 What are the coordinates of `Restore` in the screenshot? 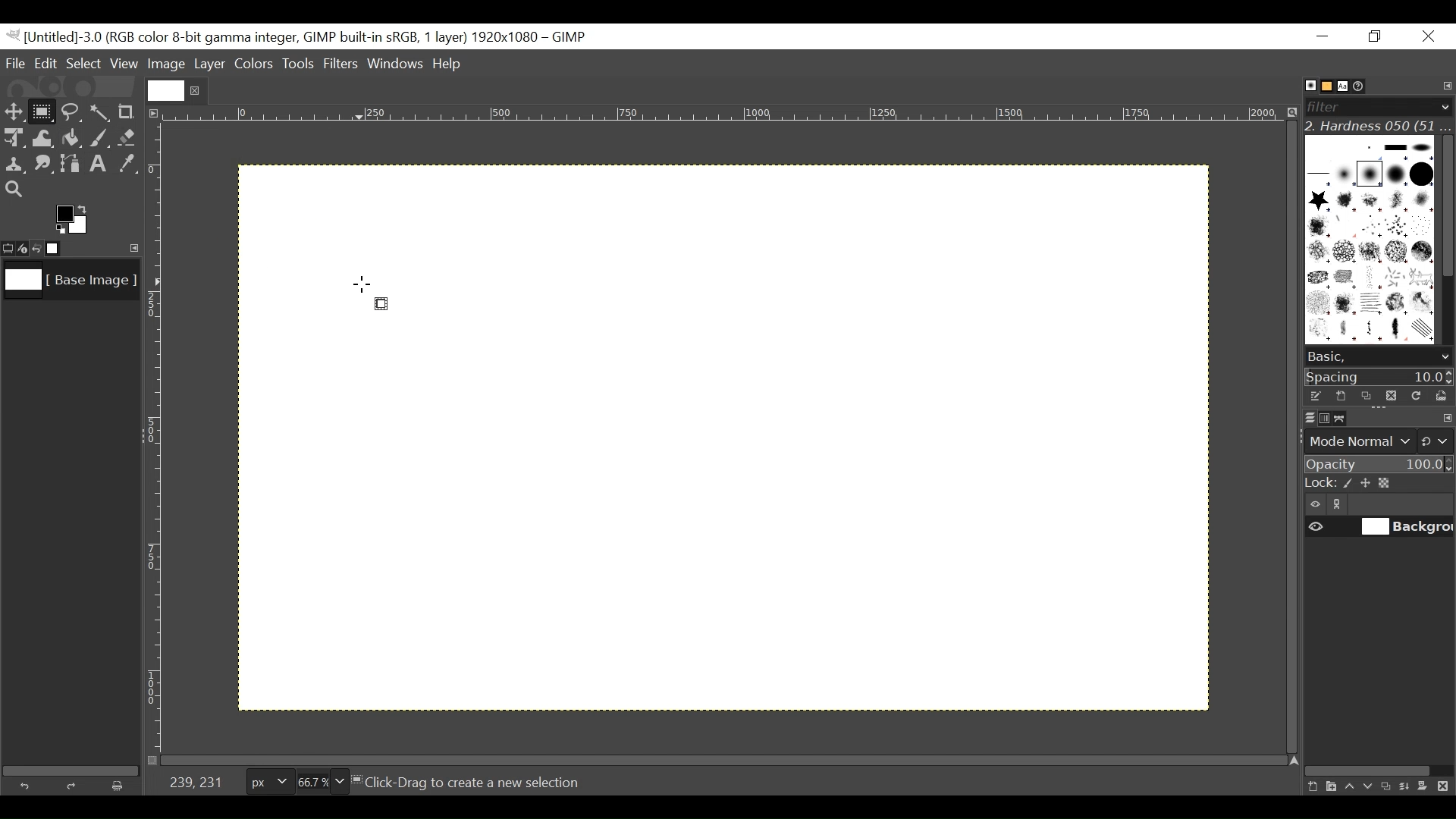 It's located at (1378, 37).